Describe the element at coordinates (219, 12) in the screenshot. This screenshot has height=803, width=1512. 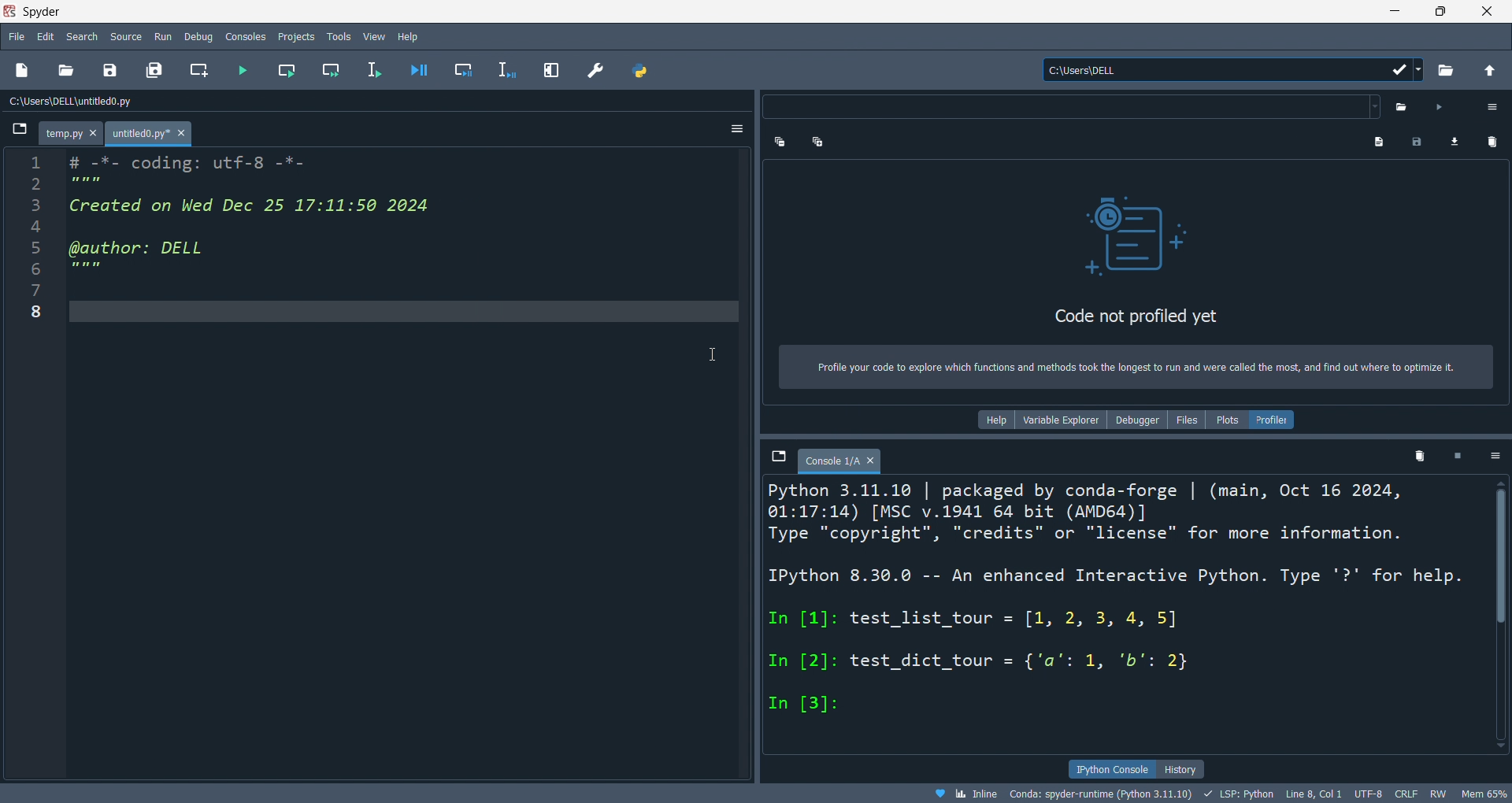
I see `Spyder` at that location.